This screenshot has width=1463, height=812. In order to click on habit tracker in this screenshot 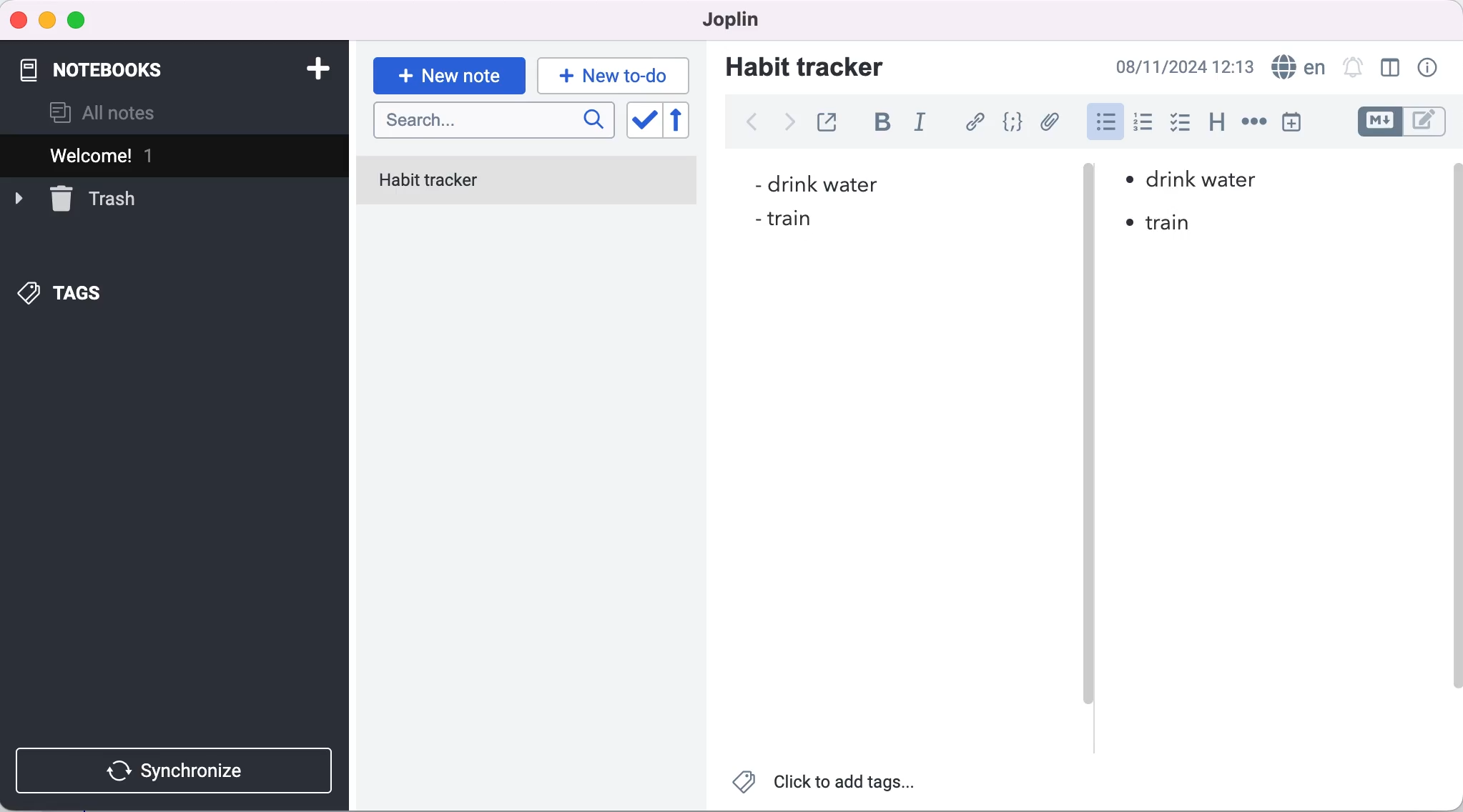, I will do `click(527, 182)`.